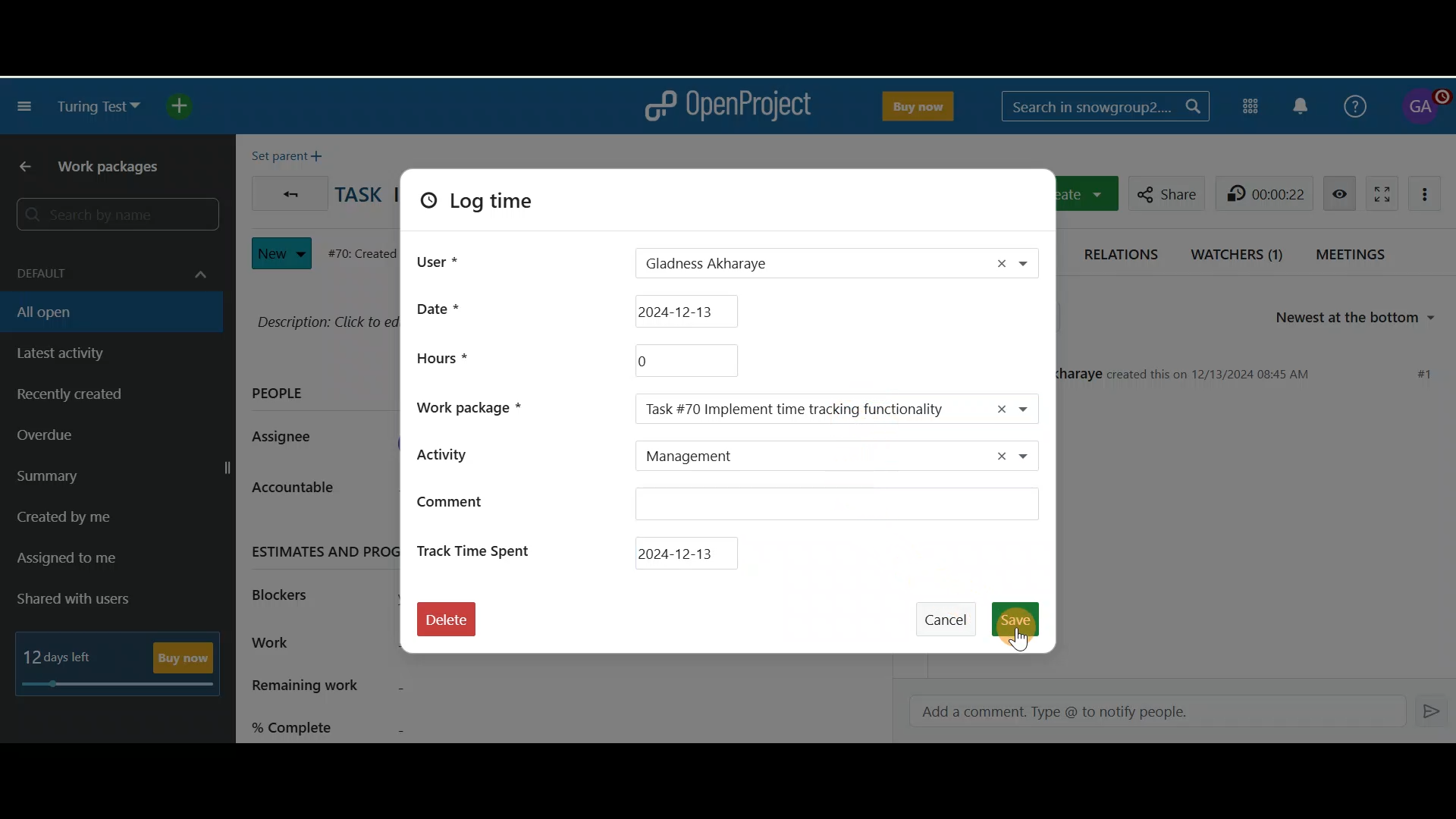  What do you see at coordinates (801, 457) in the screenshot?
I see `Management` at bounding box center [801, 457].